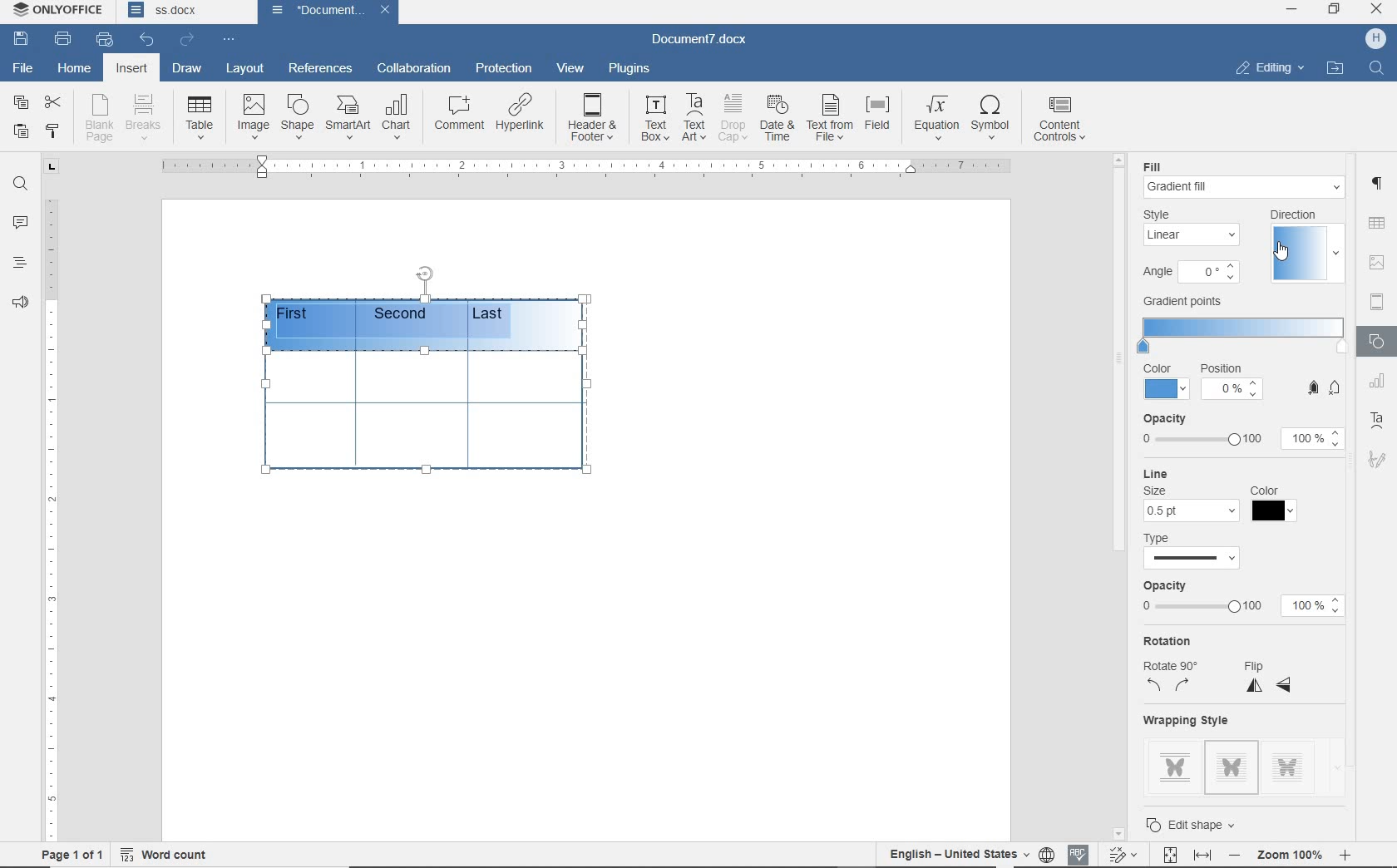 The height and width of the screenshot is (868, 1397). What do you see at coordinates (146, 117) in the screenshot?
I see `breaks` at bounding box center [146, 117].